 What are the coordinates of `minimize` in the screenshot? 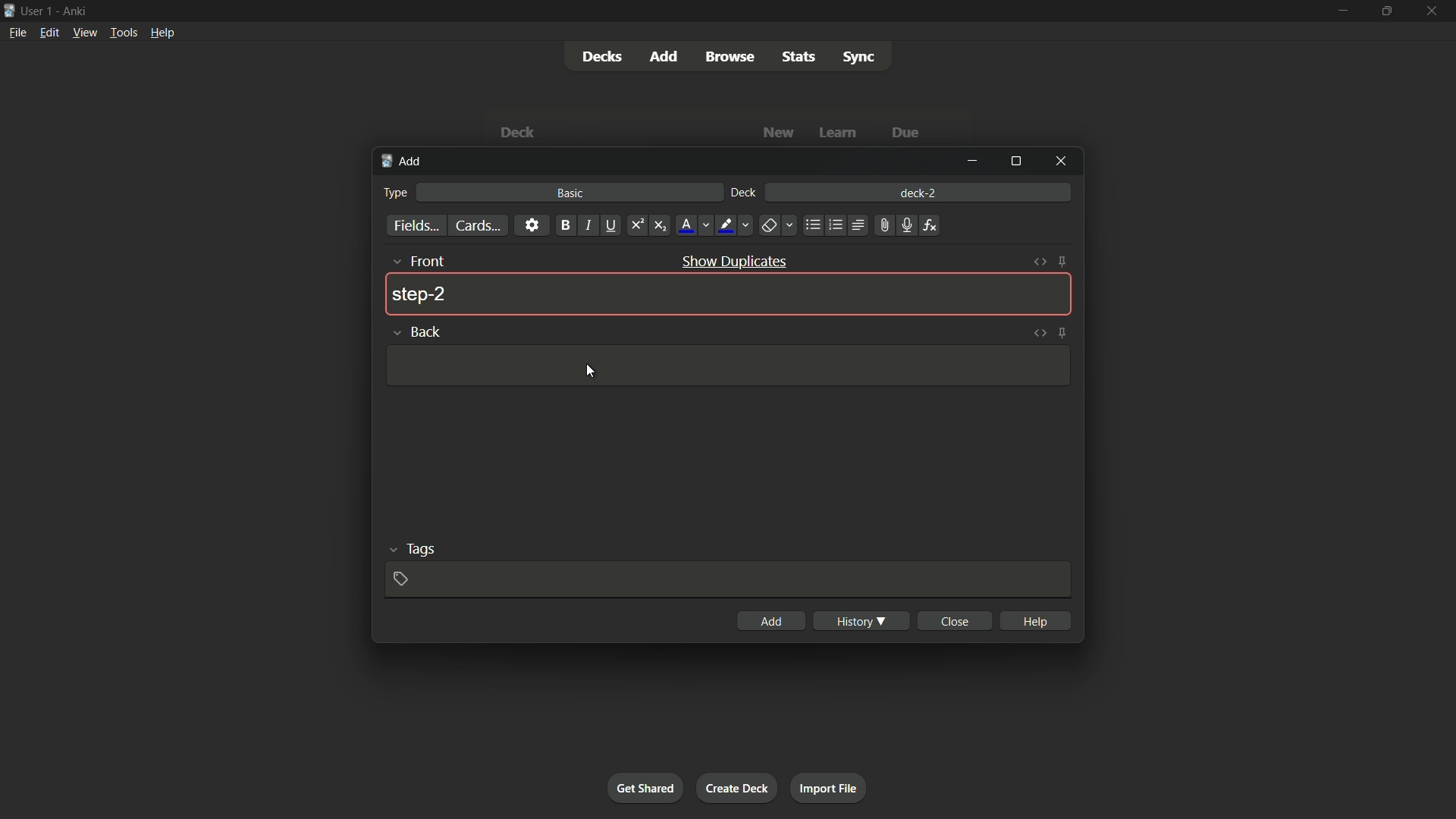 It's located at (1345, 10).